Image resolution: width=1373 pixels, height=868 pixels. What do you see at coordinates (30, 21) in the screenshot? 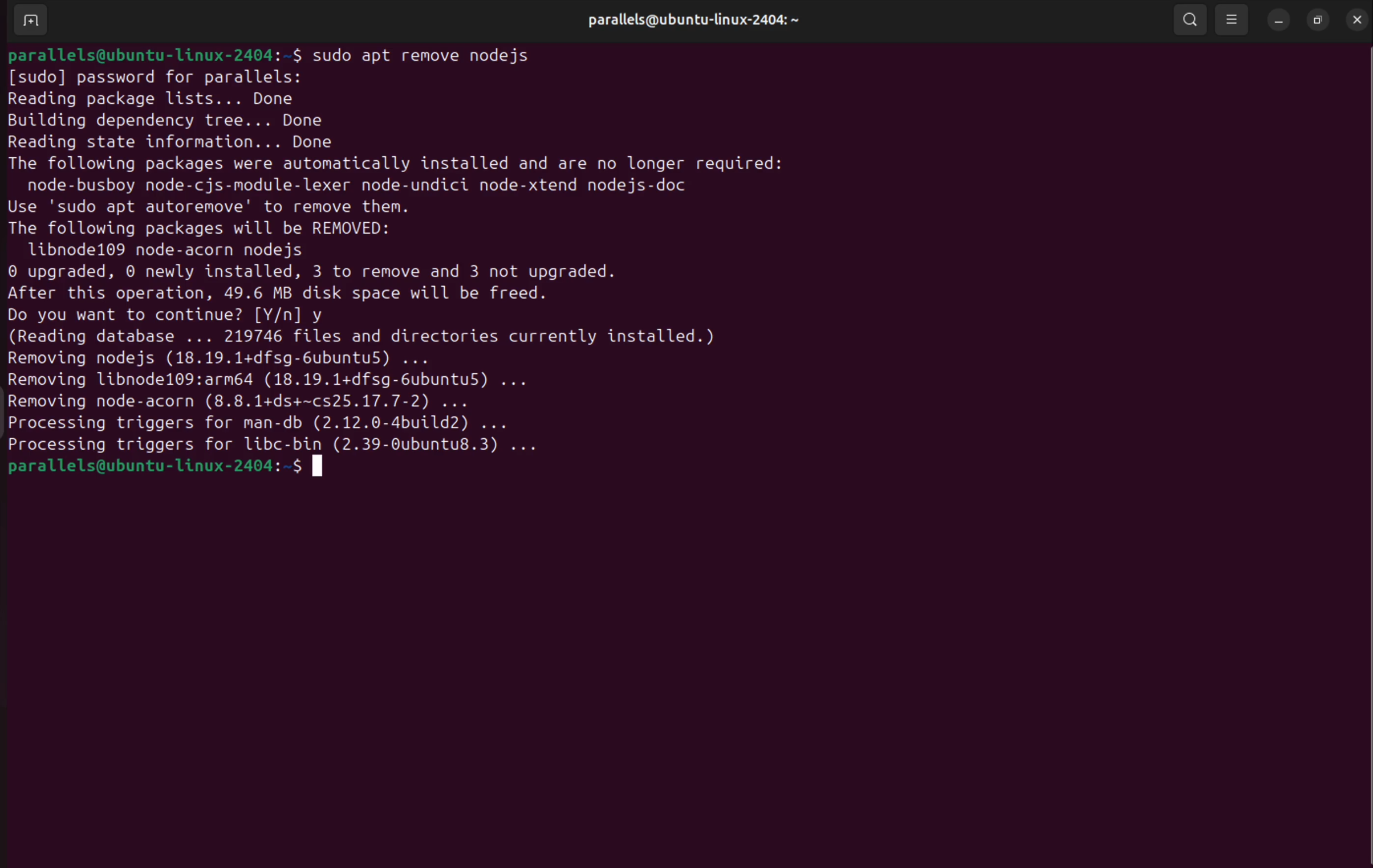
I see `add terminal` at bounding box center [30, 21].